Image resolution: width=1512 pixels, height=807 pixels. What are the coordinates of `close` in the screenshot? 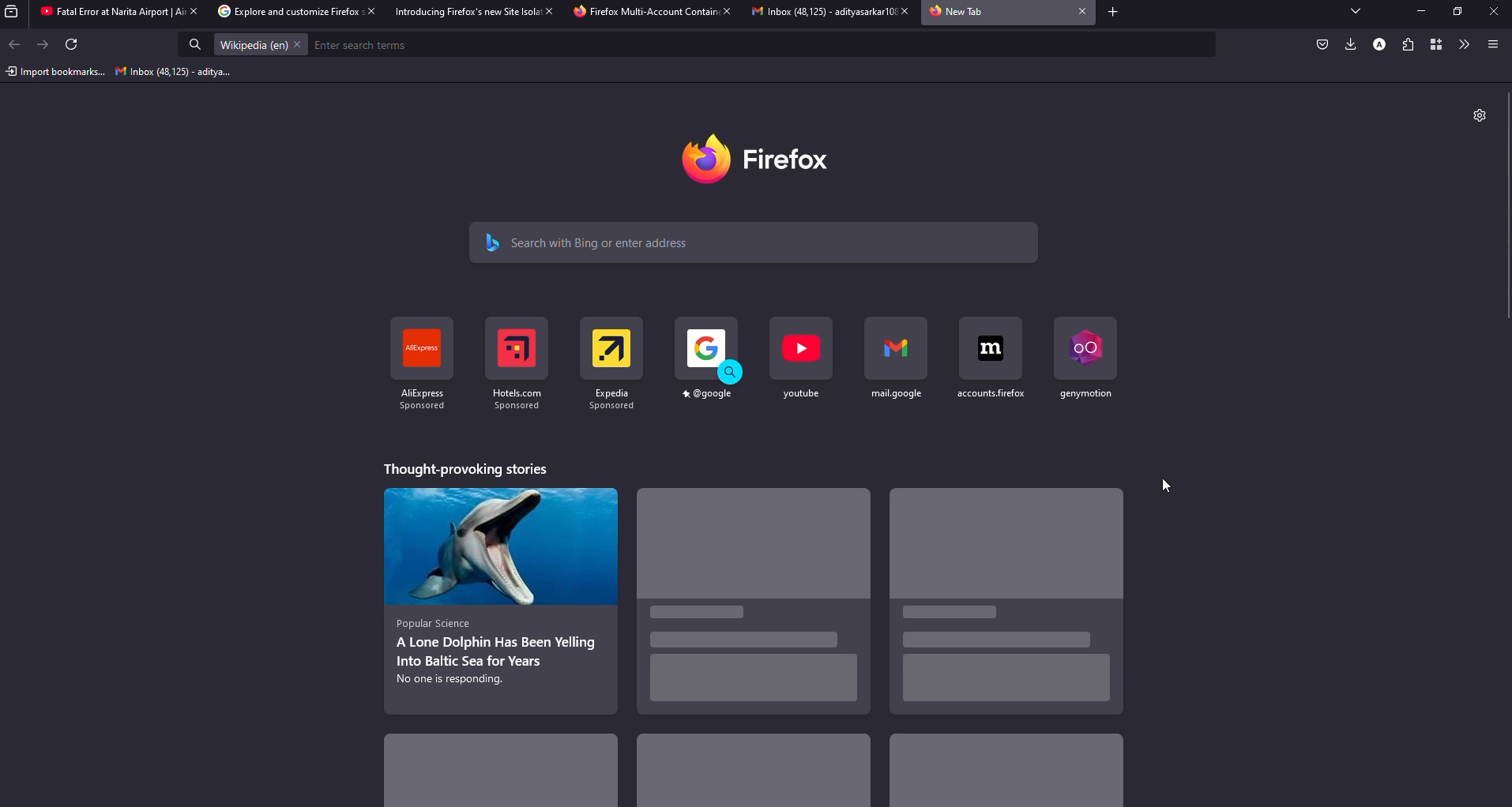 It's located at (900, 11).